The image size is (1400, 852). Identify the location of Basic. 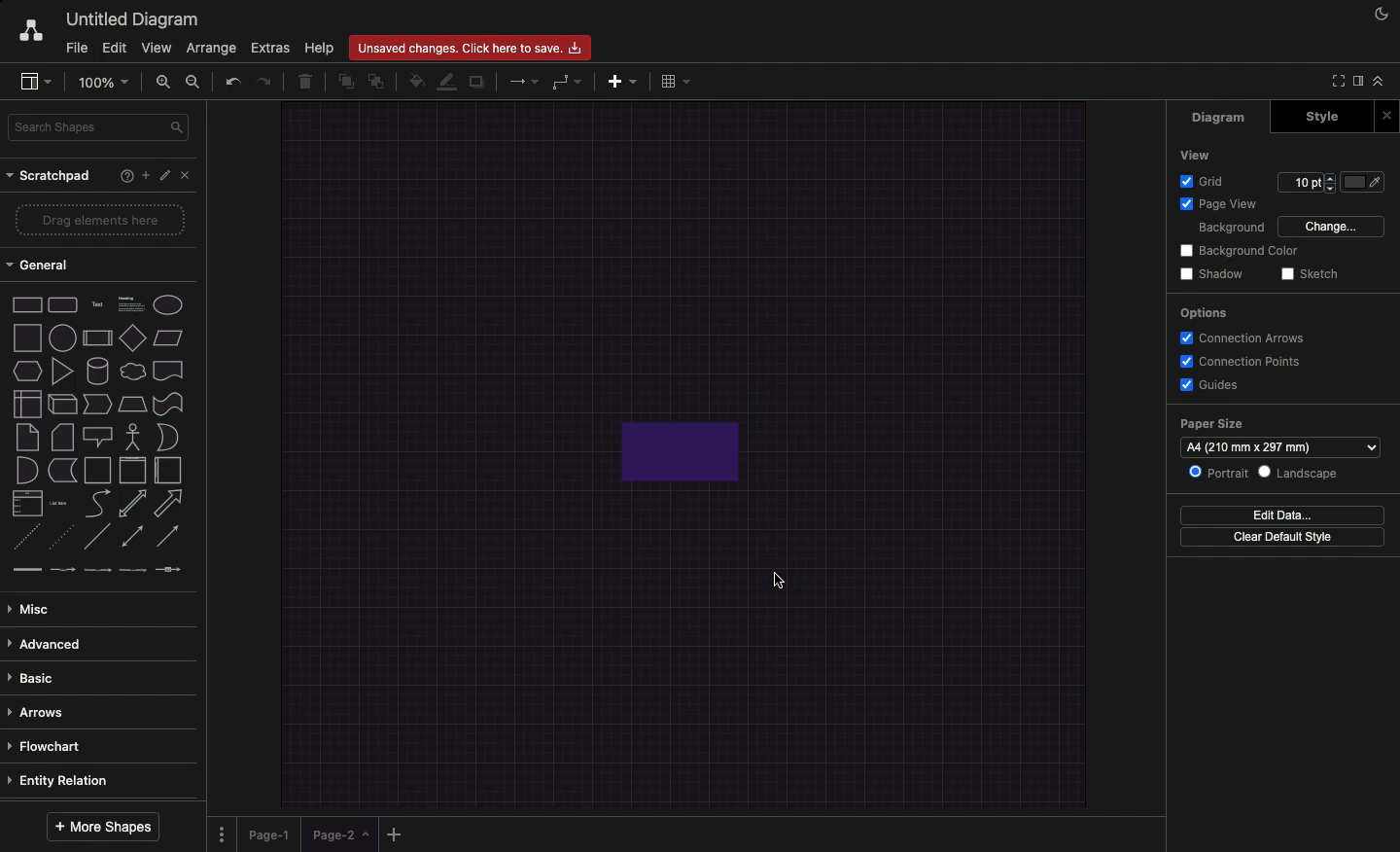
(36, 673).